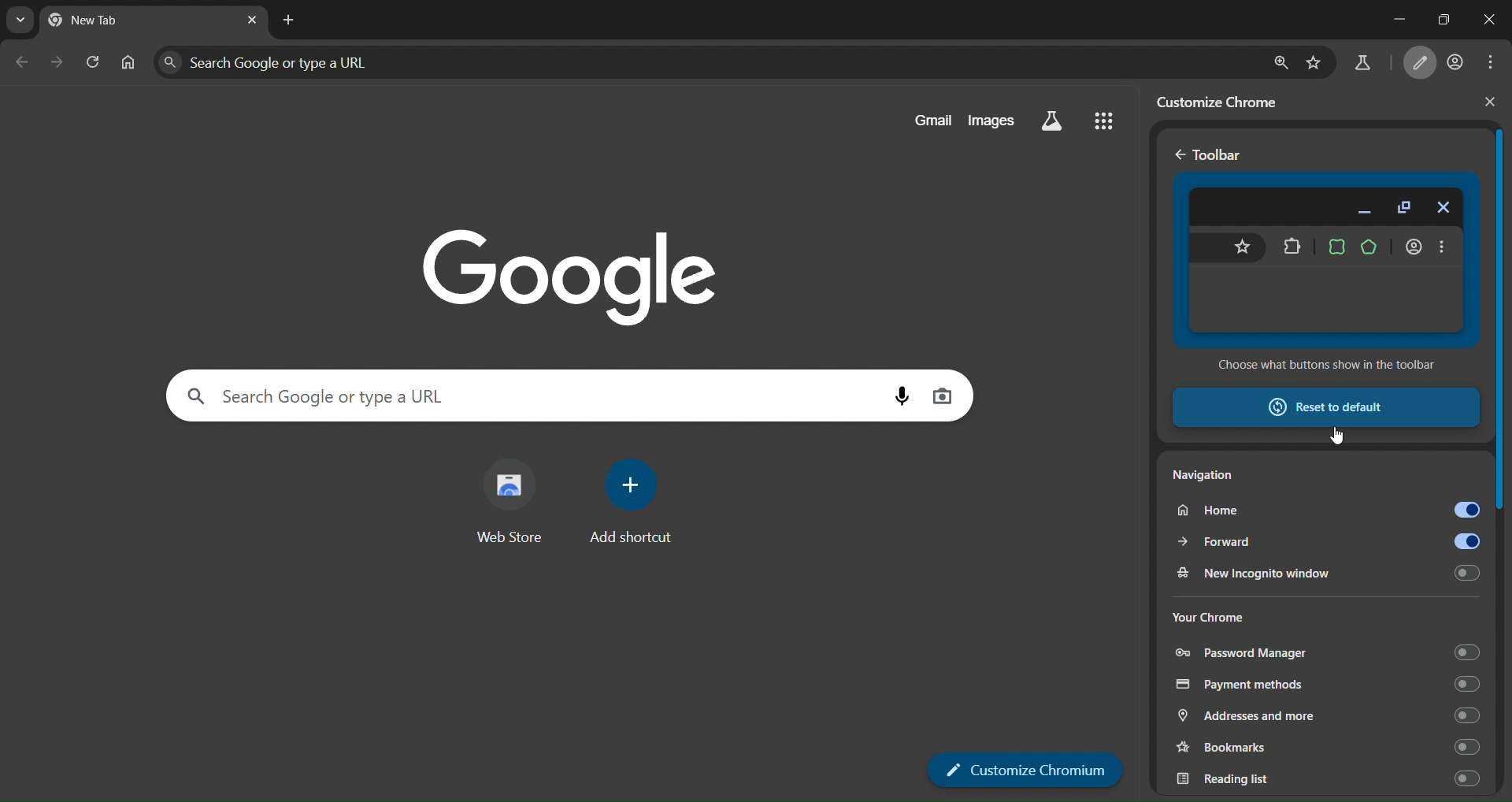 The height and width of the screenshot is (802, 1512). I want to click on images, so click(989, 121).